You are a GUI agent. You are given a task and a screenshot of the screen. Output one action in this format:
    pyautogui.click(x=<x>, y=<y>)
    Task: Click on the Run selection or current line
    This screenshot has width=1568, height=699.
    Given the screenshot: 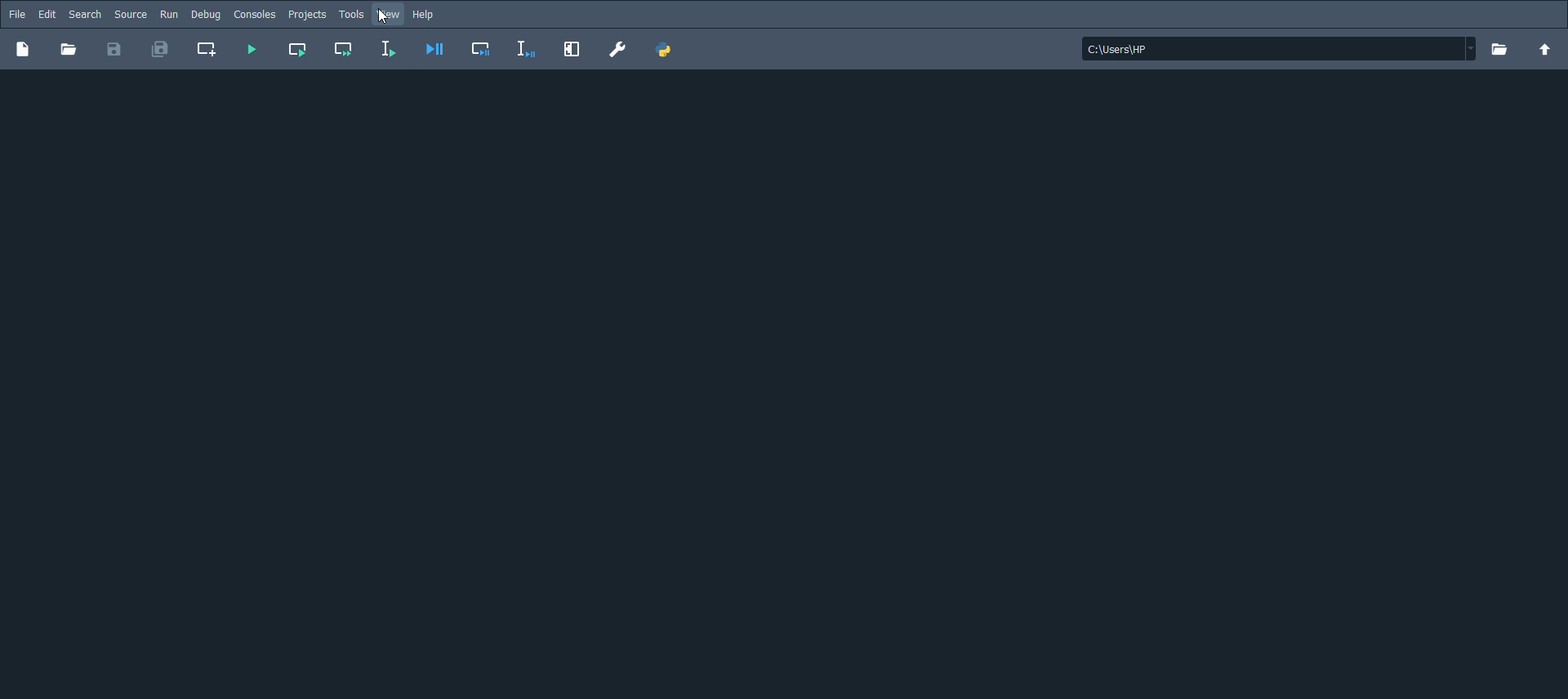 What is the action you would take?
    pyautogui.click(x=388, y=50)
    